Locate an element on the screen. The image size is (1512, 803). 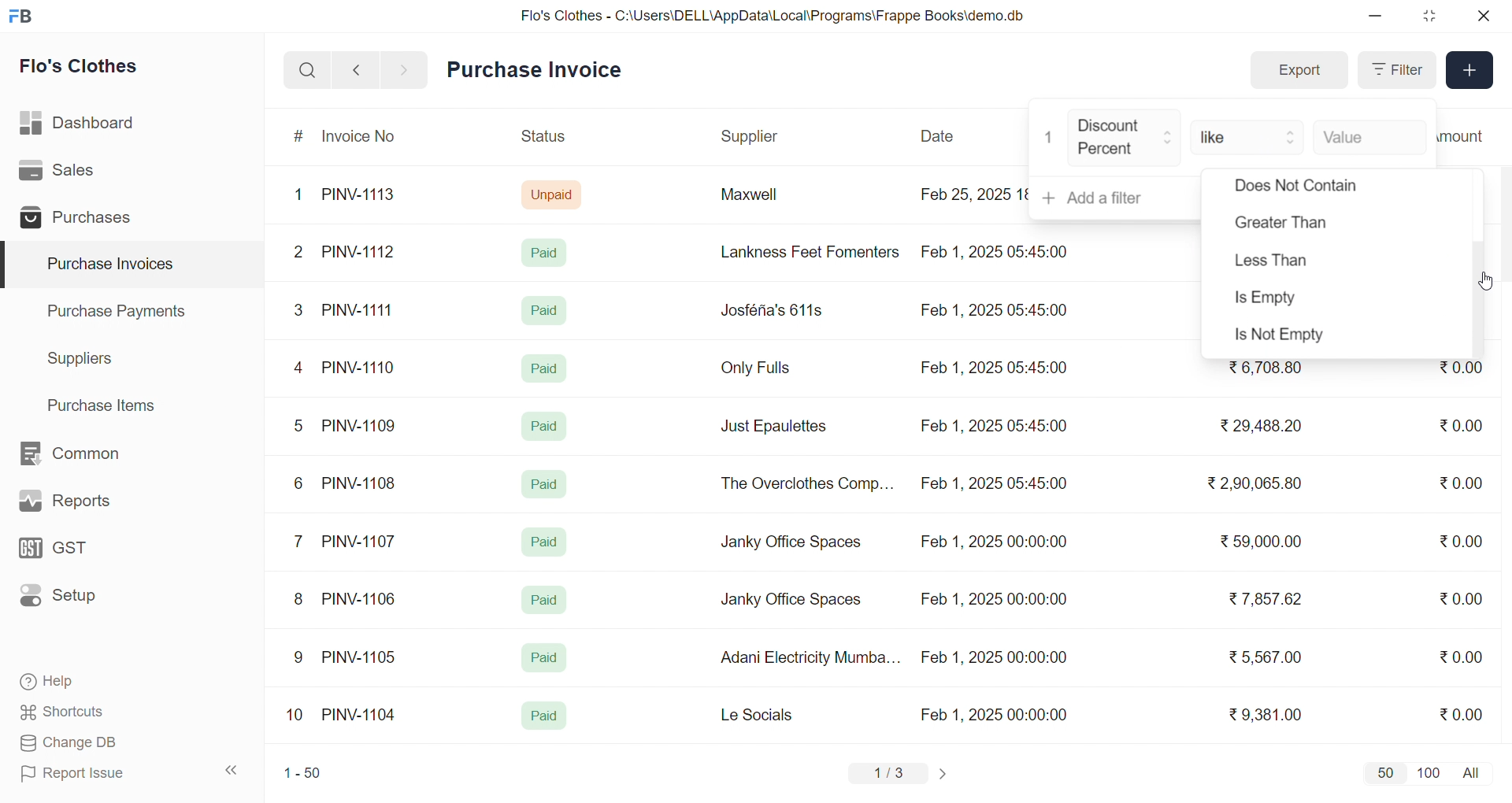
The Overclothes Comp... is located at coordinates (805, 483).